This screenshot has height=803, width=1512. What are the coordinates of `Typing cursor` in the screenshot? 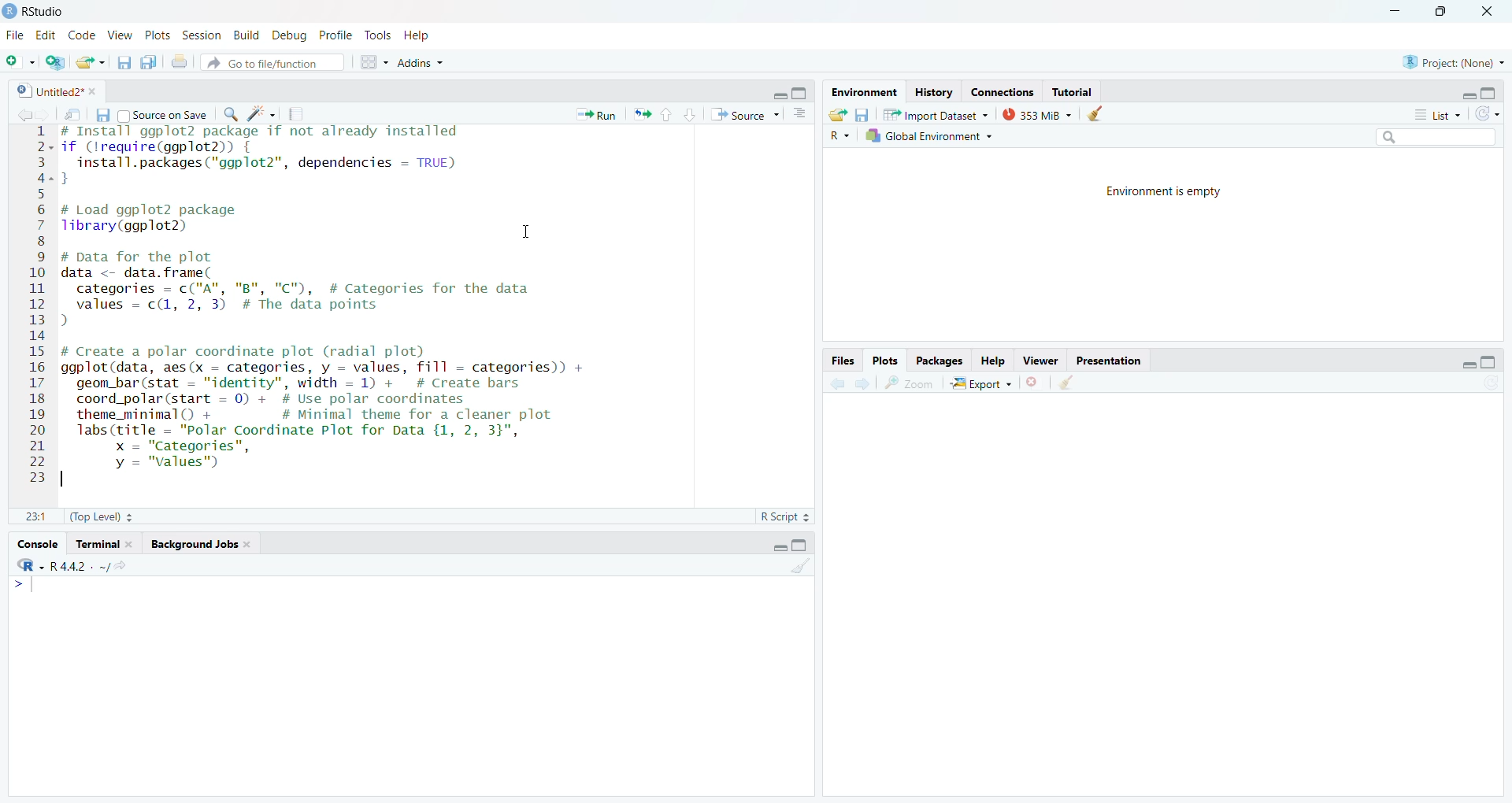 It's located at (74, 482).